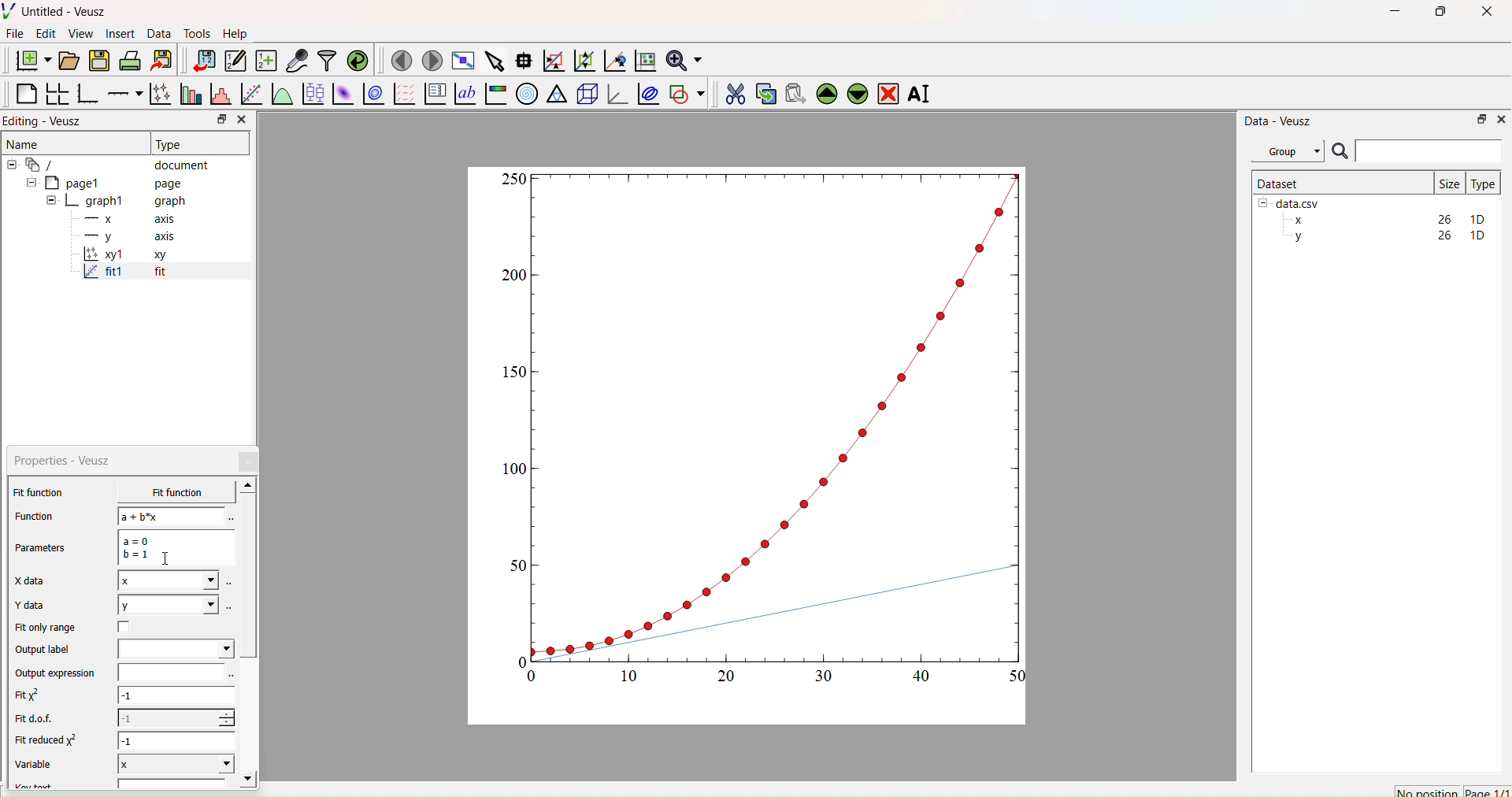  I want to click on input , so click(169, 674).